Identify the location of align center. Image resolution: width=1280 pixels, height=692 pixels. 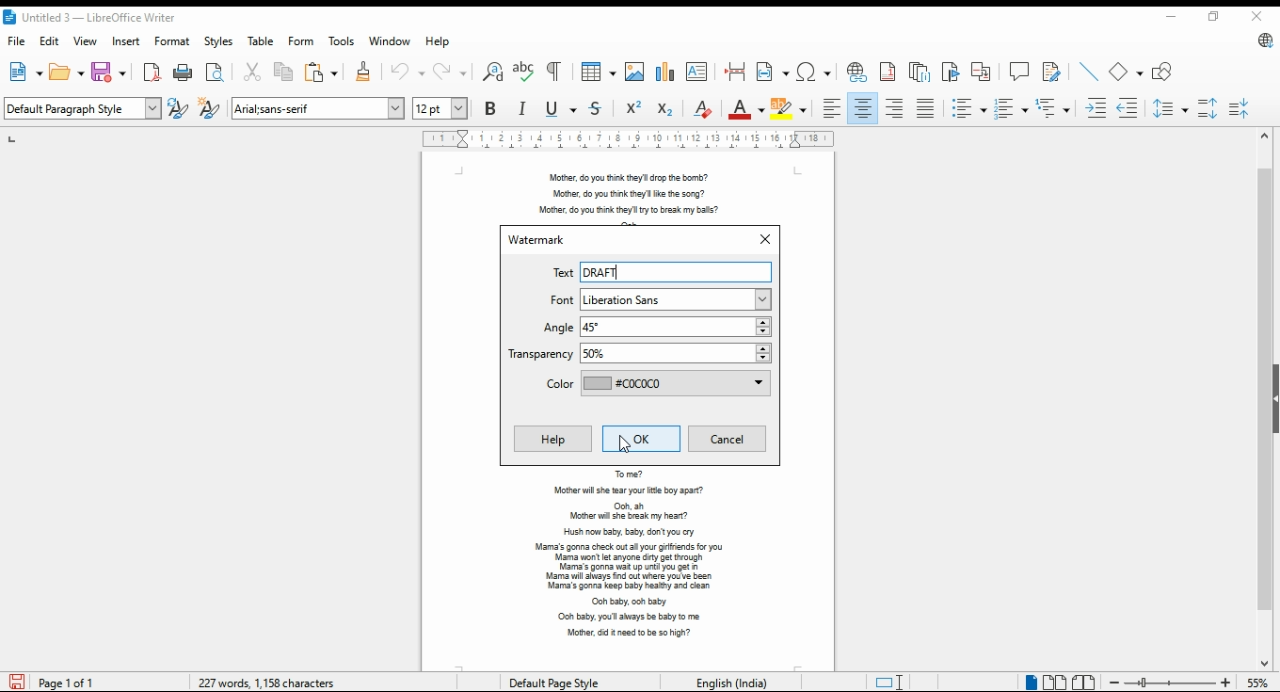
(862, 108).